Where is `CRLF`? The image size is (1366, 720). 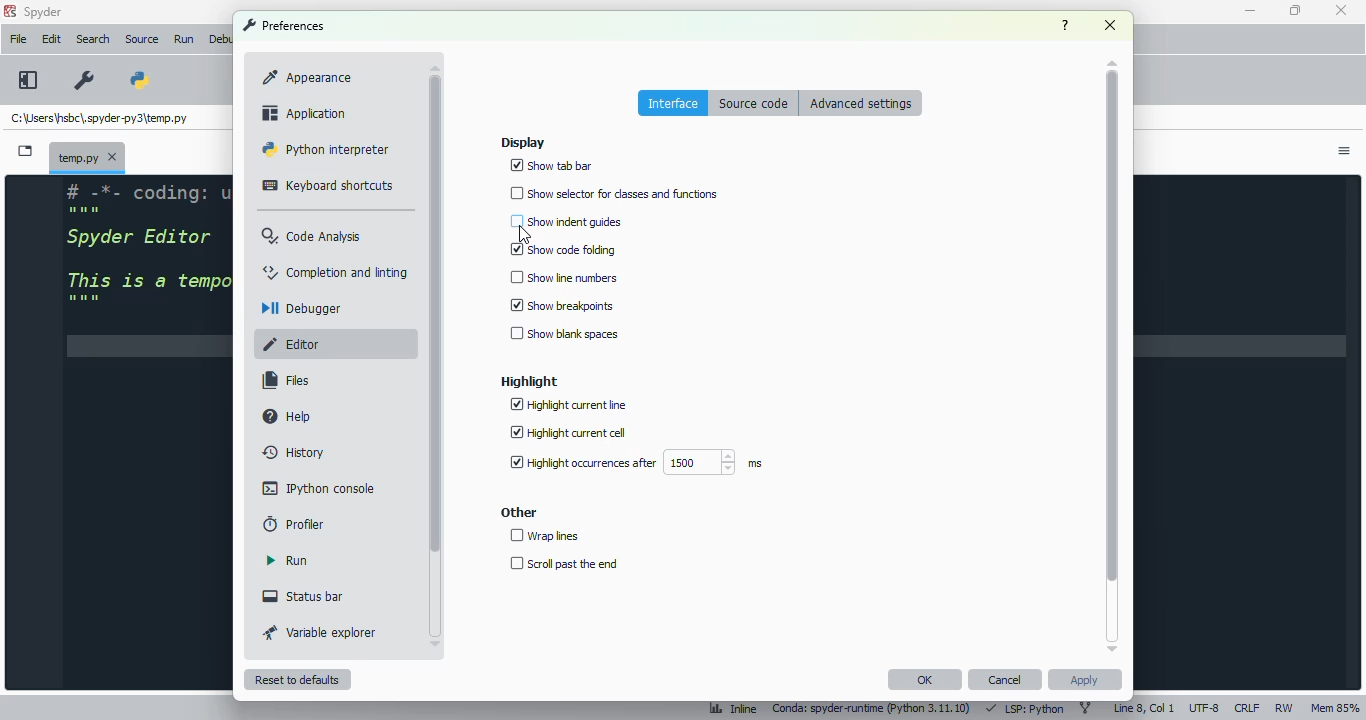
CRLF is located at coordinates (1248, 707).